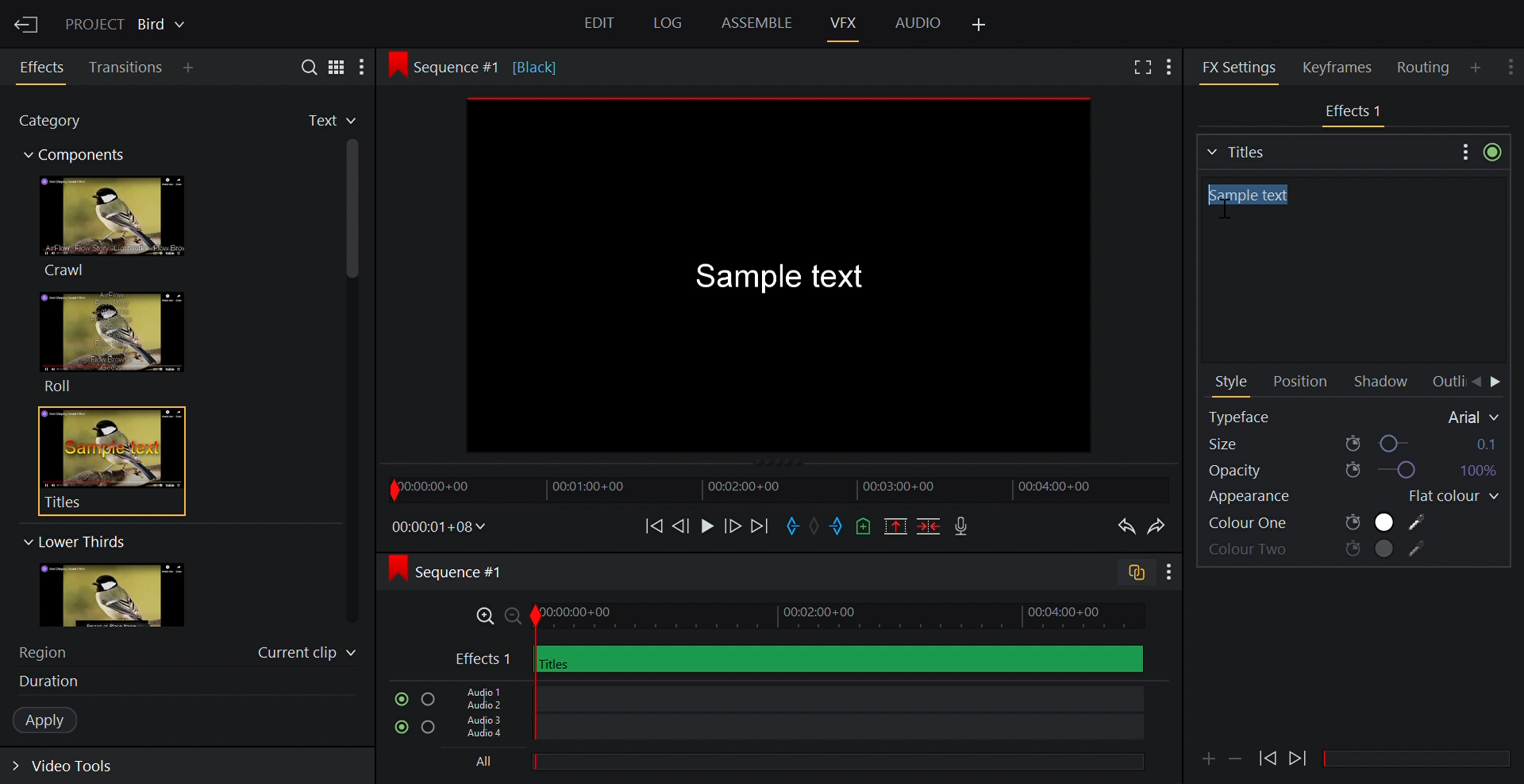 This screenshot has height=784, width=1524. Describe the element at coordinates (44, 67) in the screenshot. I see `Effects` at that location.